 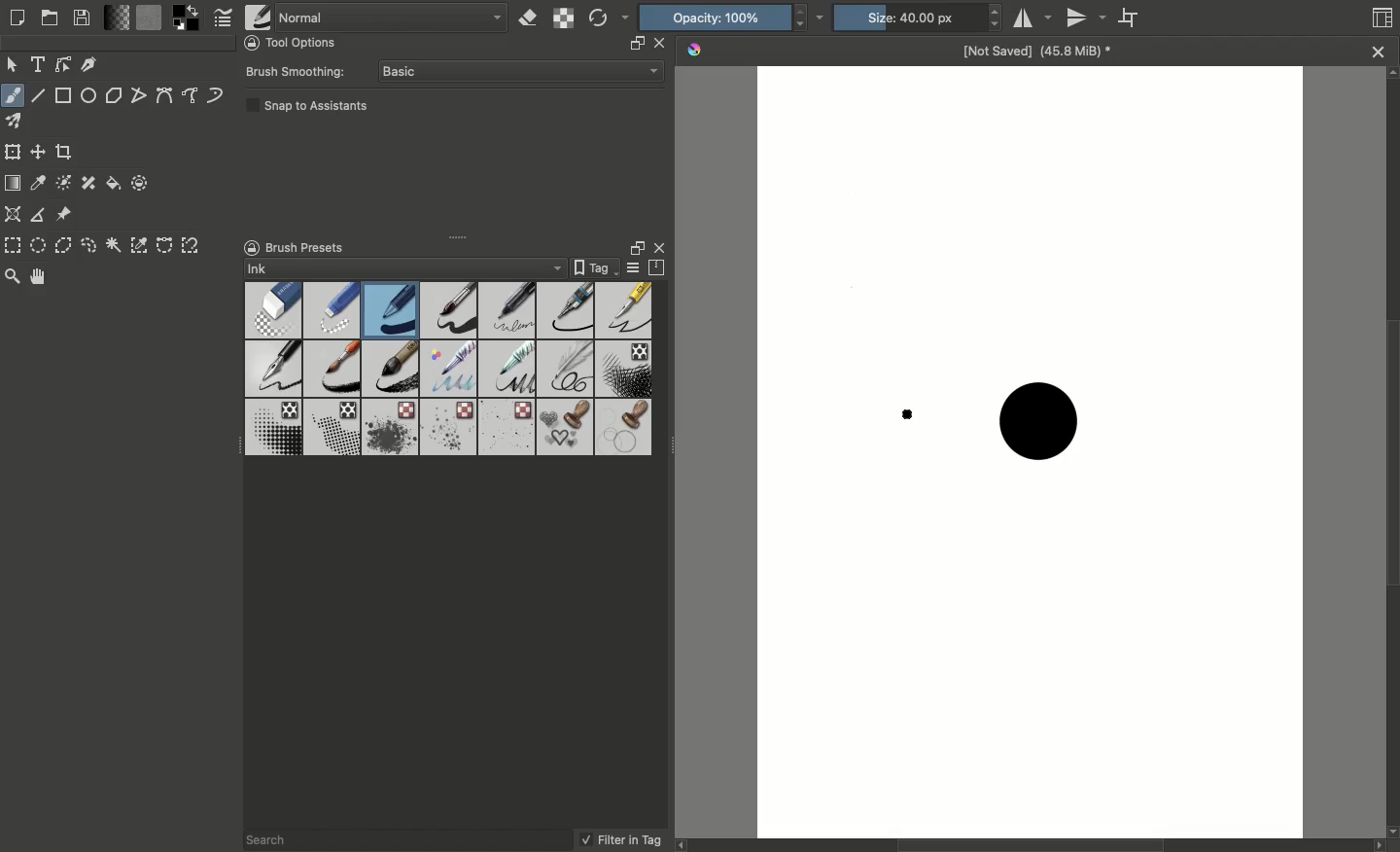 What do you see at coordinates (38, 95) in the screenshot?
I see `Line` at bounding box center [38, 95].